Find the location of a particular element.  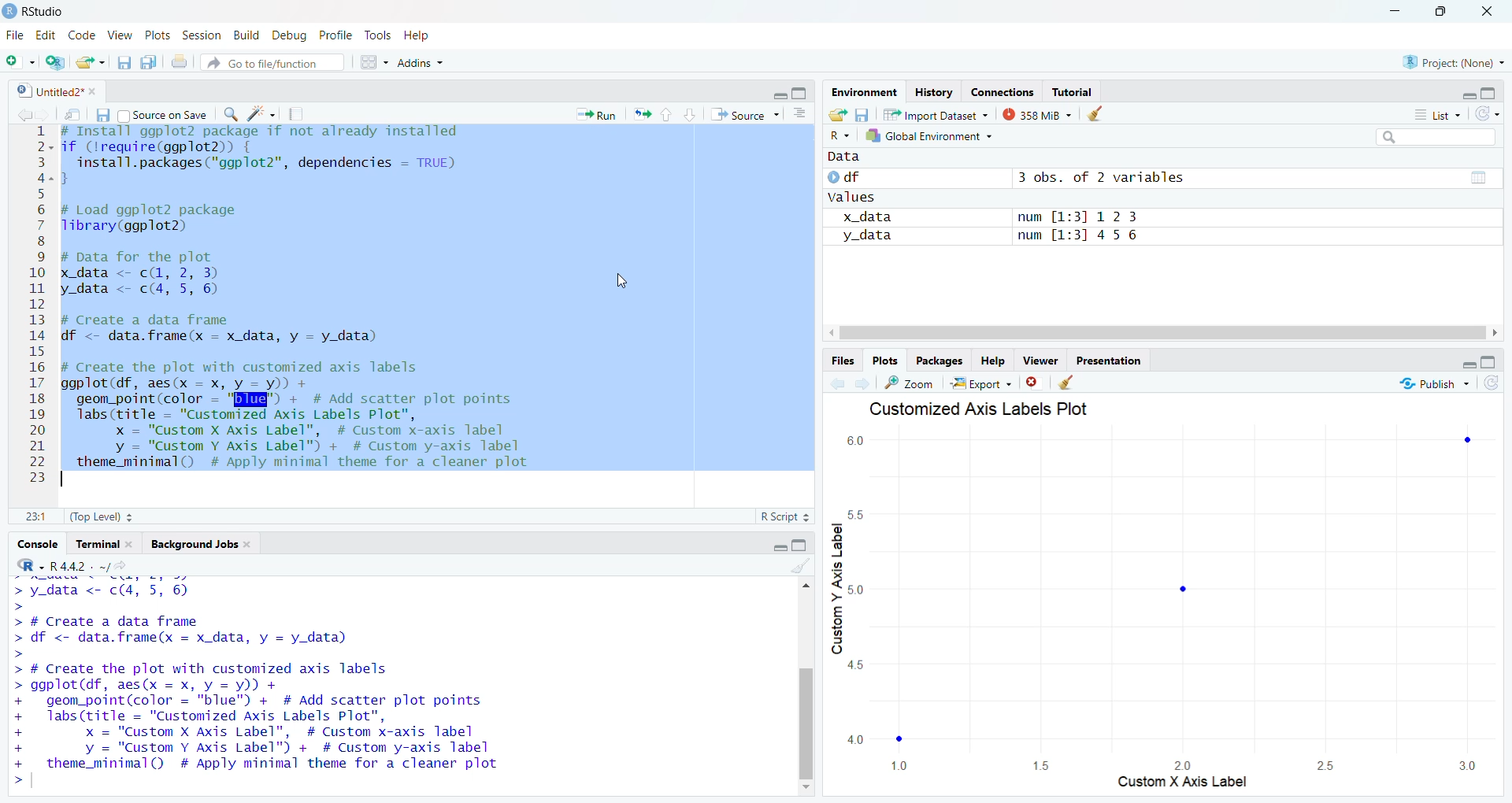

R Script = is located at coordinates (786, 516).